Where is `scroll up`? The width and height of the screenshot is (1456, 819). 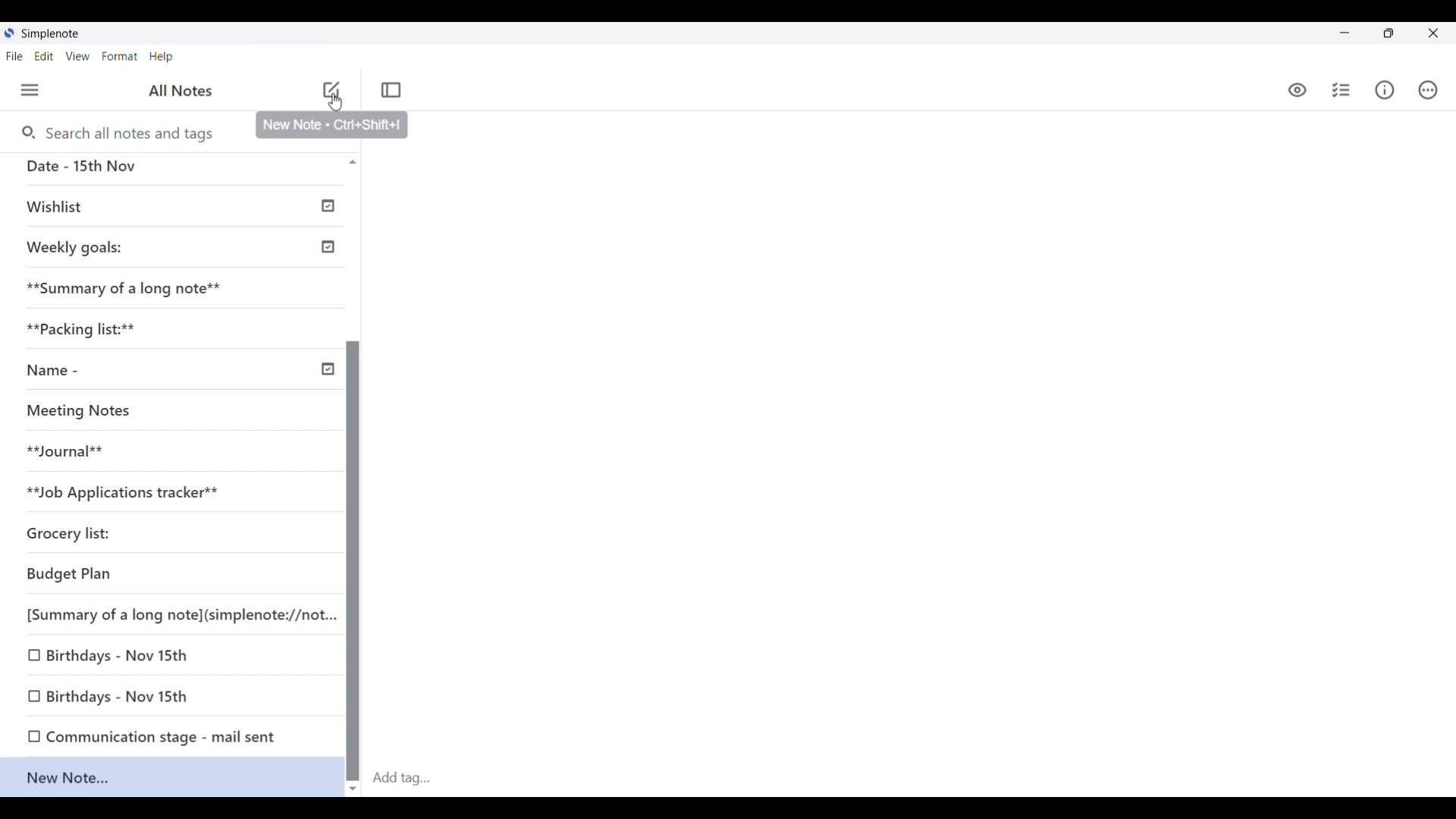 scroll up is located at coordinates (353, 160).